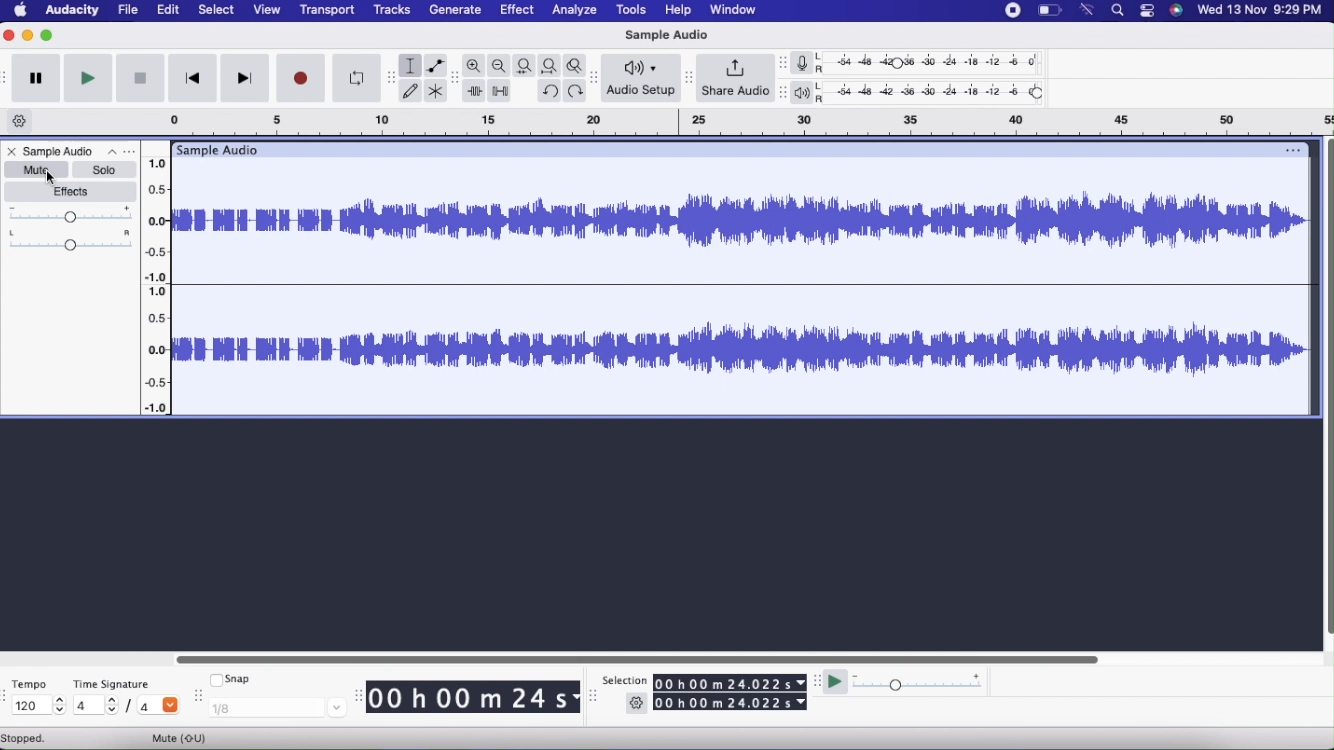 The height and width of the screenshot is (750, 1334). Describe the element at coordinates (391, 12) in the screenshot. I see `Tracks` at that location.